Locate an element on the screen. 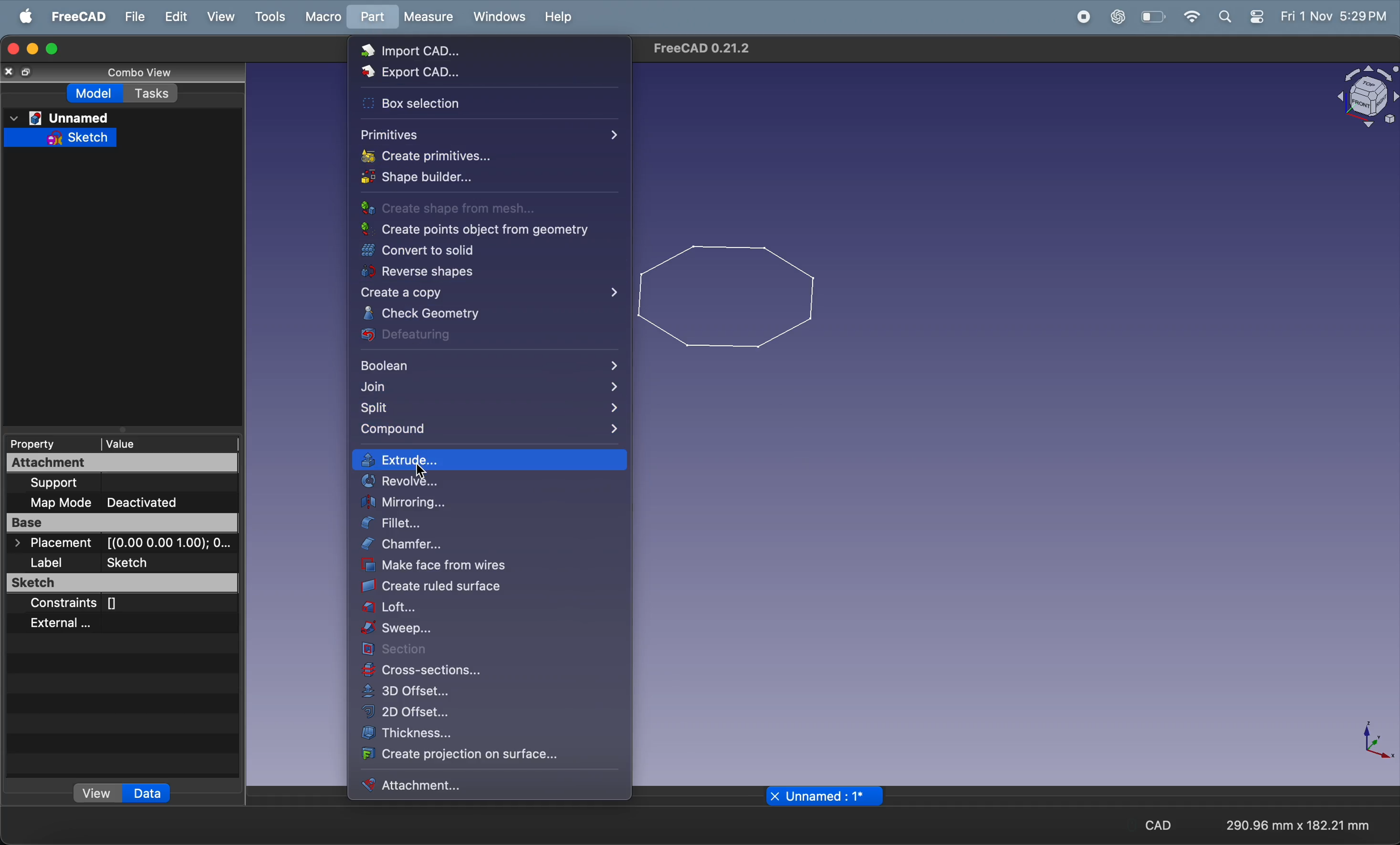  placement co ordinates is located at coordinates (122, 545).